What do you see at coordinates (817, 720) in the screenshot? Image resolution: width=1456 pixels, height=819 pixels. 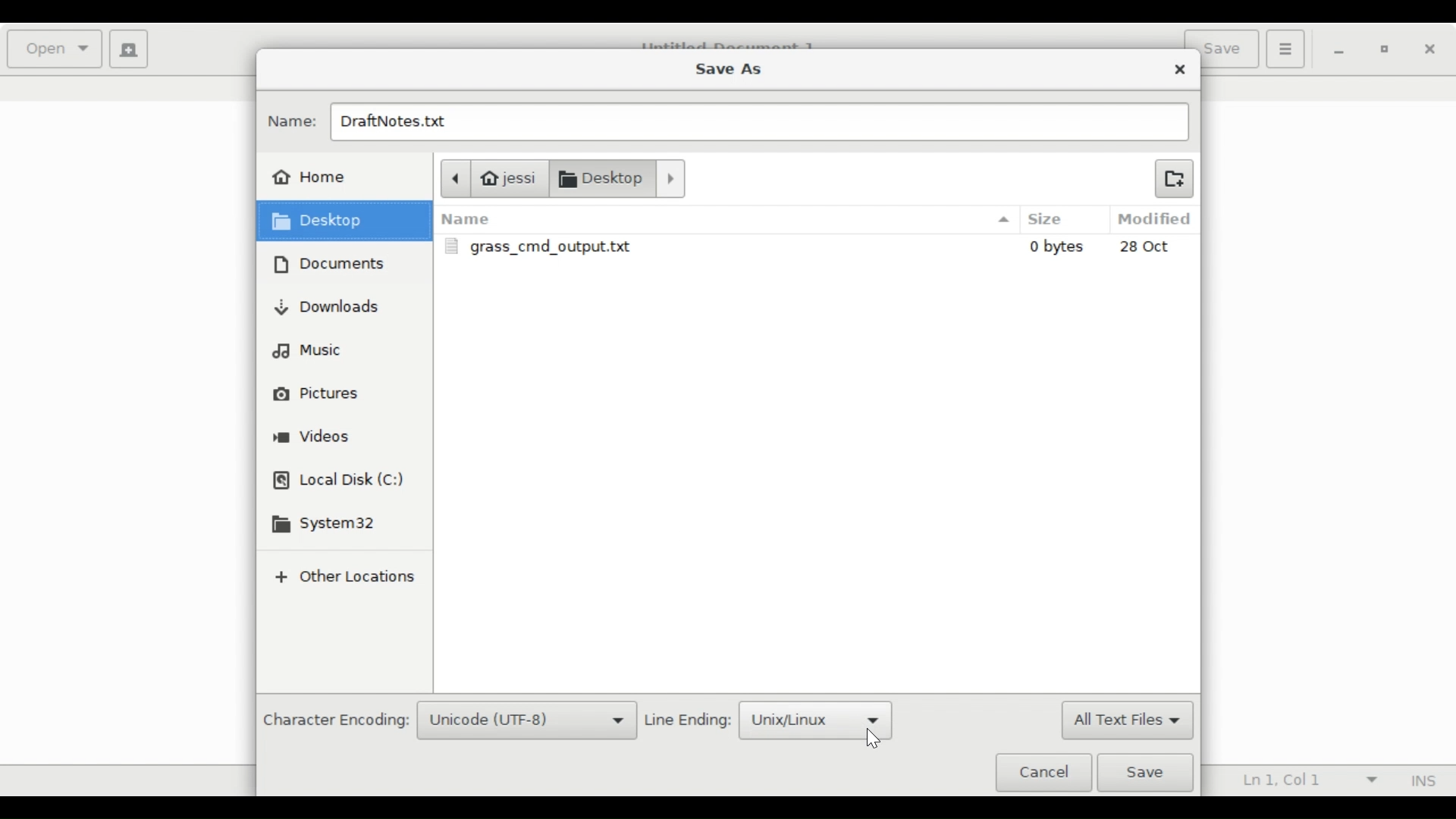 I see `Unix/Linux` at bounding box center [817, 720].